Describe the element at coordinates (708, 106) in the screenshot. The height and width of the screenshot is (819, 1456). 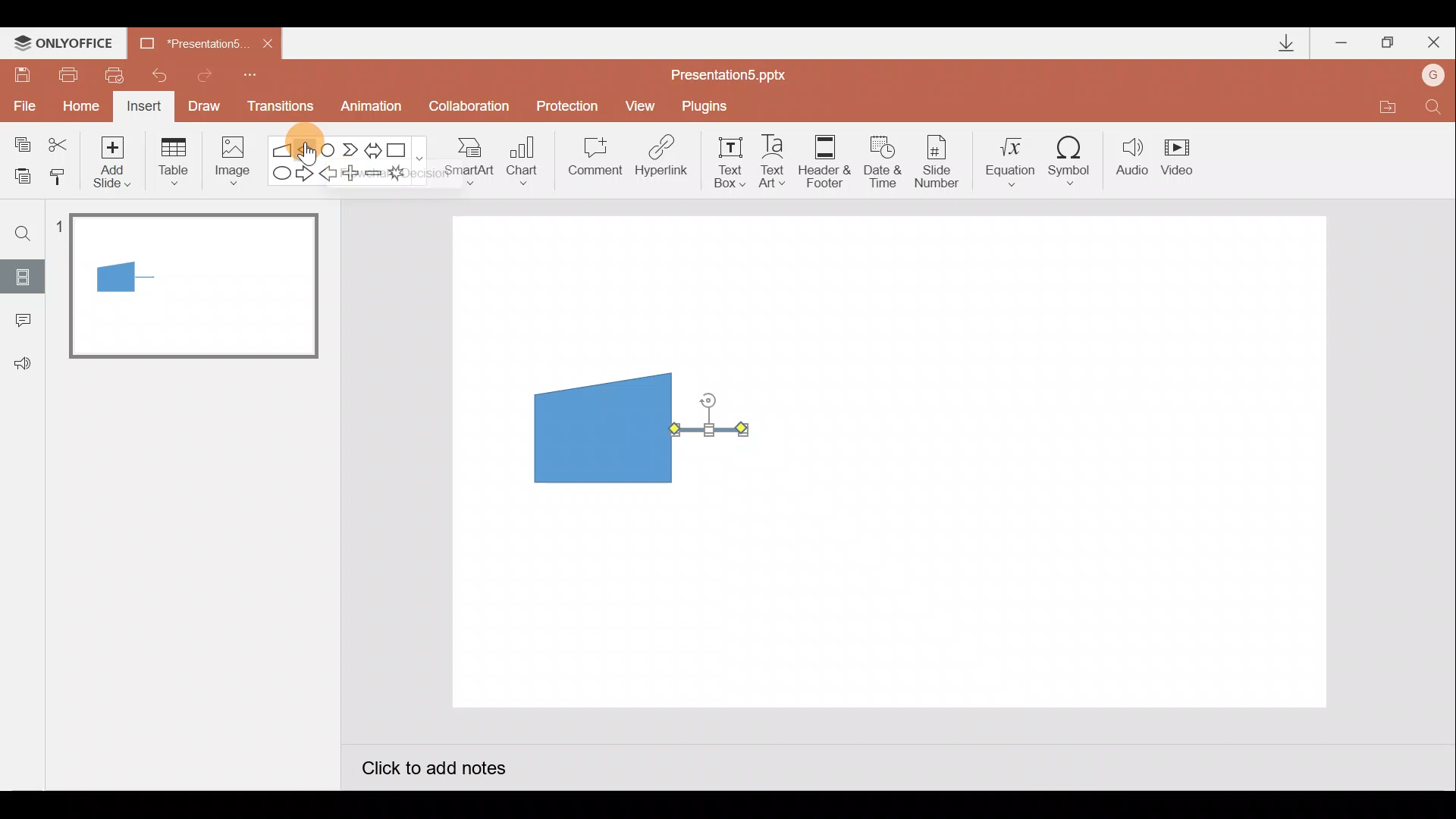
I see `Plugins` at that location.